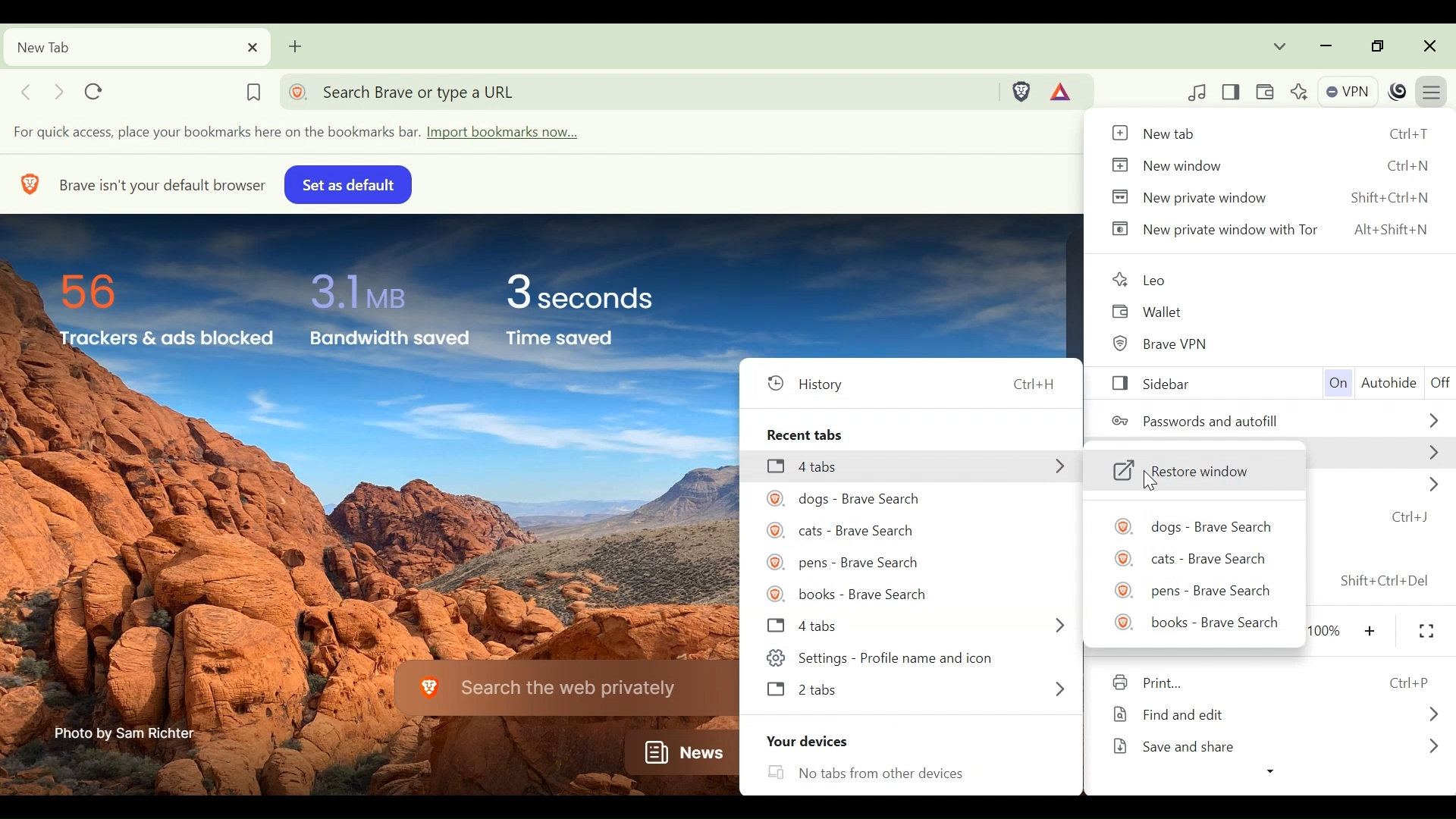 The height and width of the screenshot is (819, 1456). Describe the element at coordinates (1392, 232) in the screenshot. I see `Alt+Shift+N` at that location.